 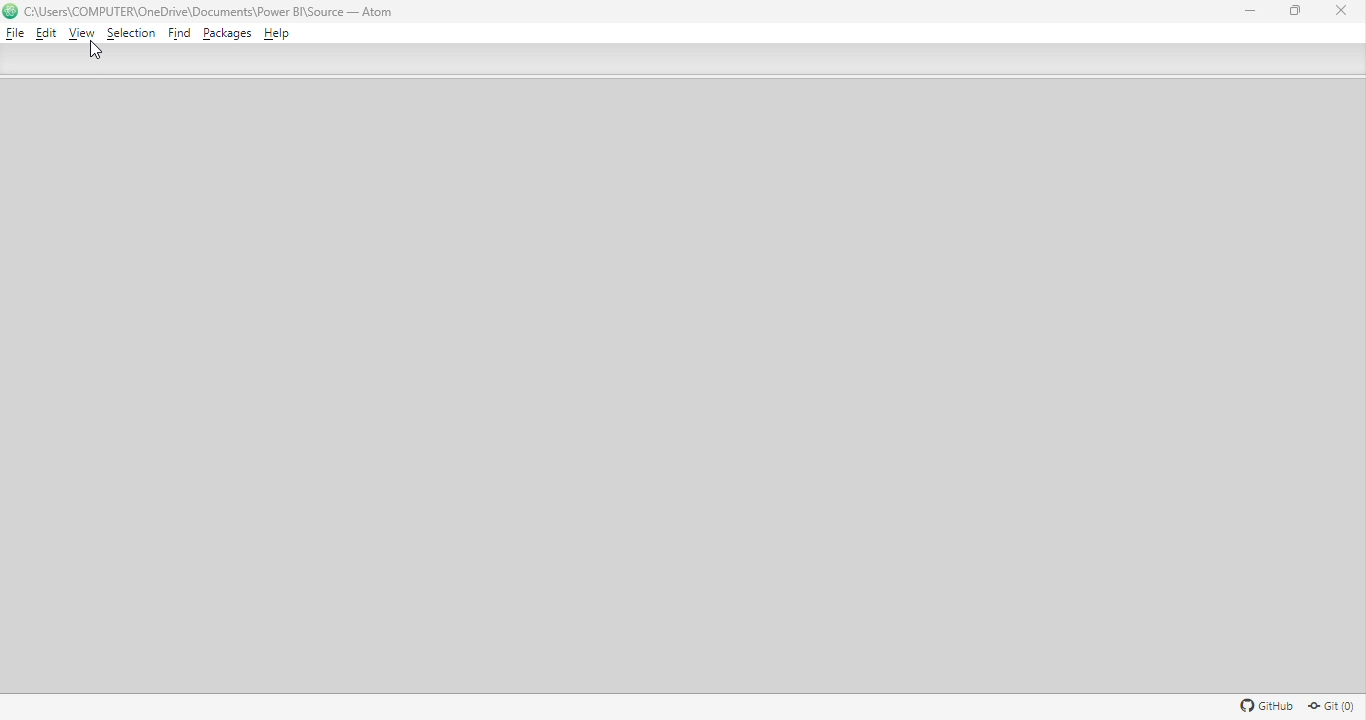 I want to click on Minimize, so click(x=1246, y=10).